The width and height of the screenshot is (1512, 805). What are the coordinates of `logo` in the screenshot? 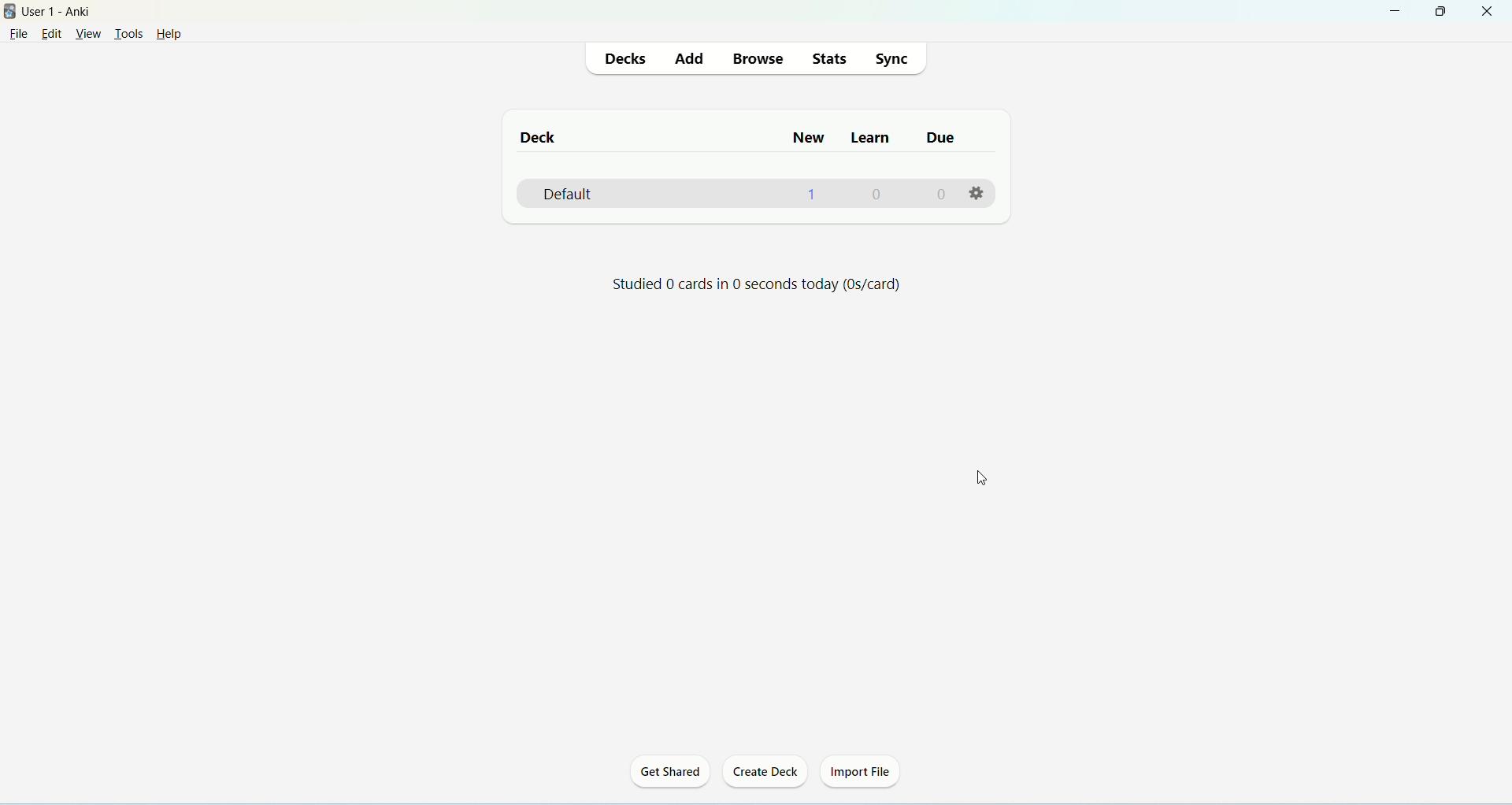 It's located at (9, 11).